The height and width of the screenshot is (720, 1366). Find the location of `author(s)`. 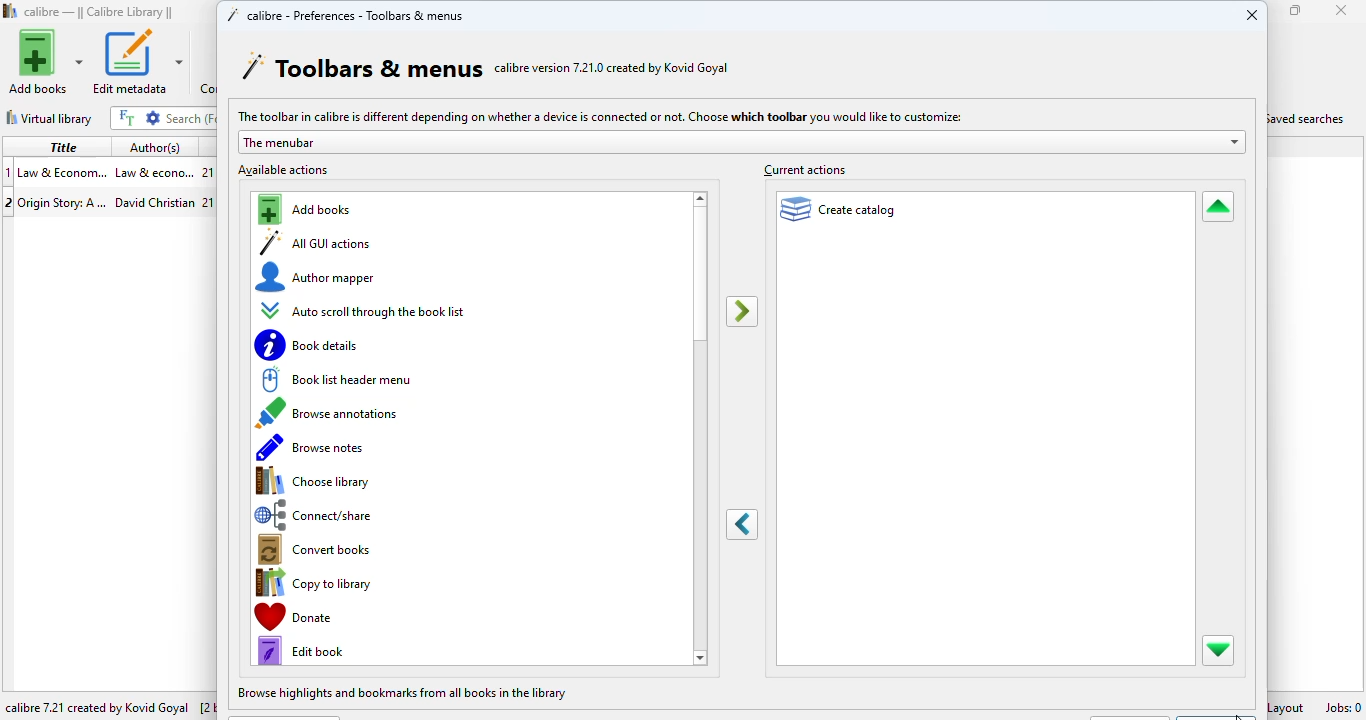

author(s) is located at coordinates (155, 148).